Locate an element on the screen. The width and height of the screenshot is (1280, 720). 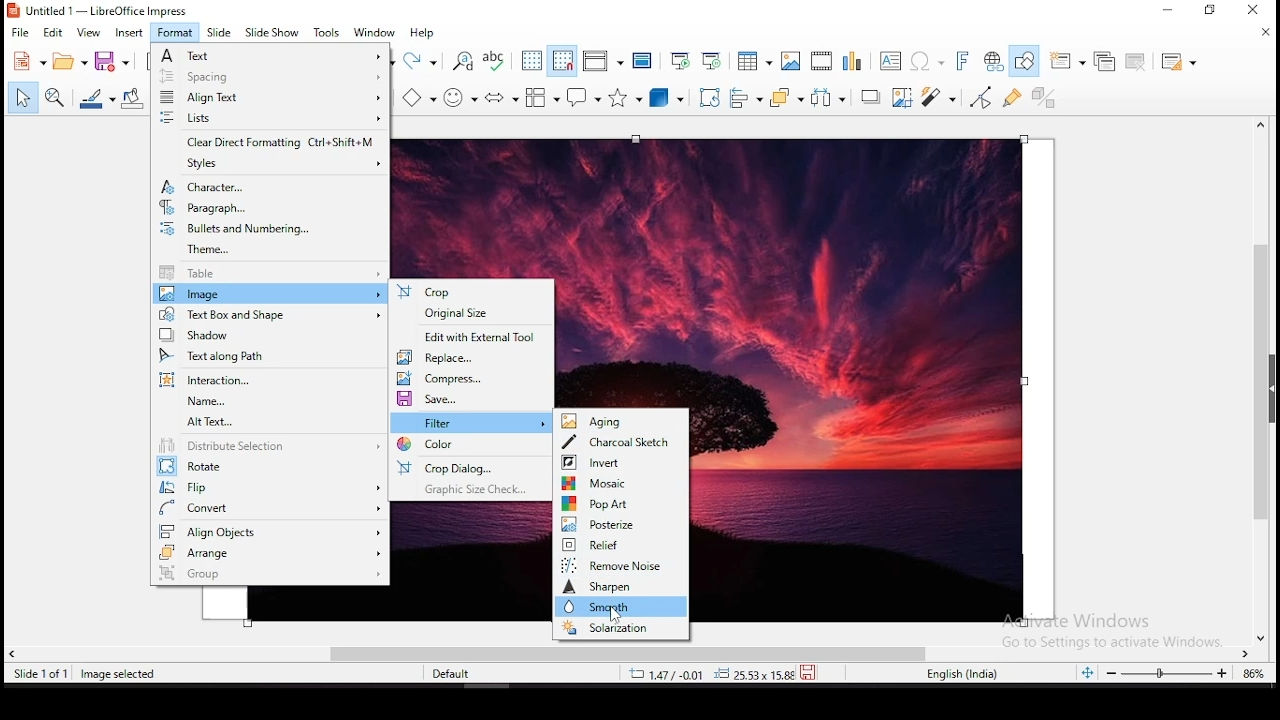
close is located at coordinates (1264, 32).